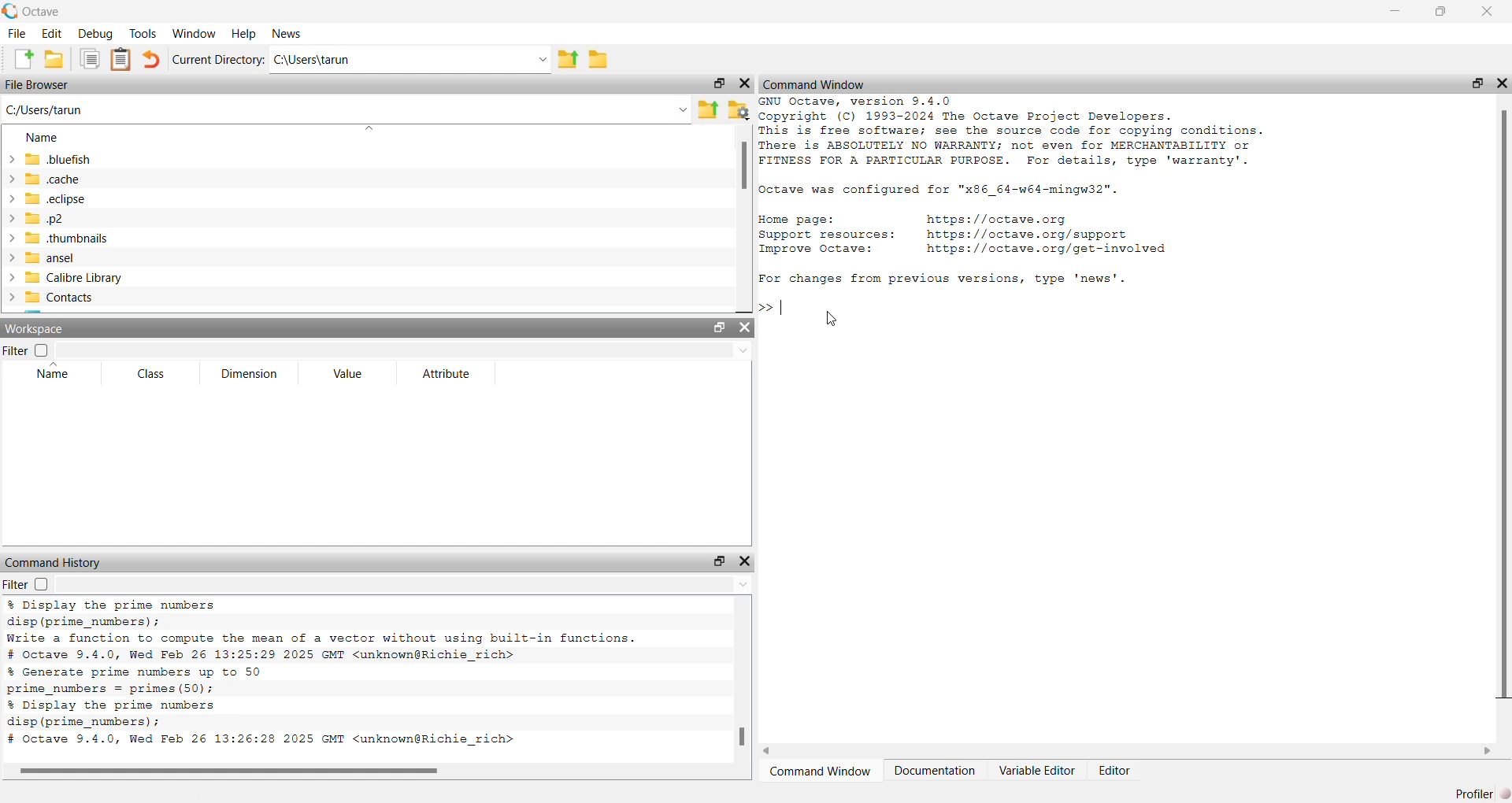 The image size is (1512, 803). Describe the element at coordinates (12, 9) in the screenshot. I see `logo` at that location.